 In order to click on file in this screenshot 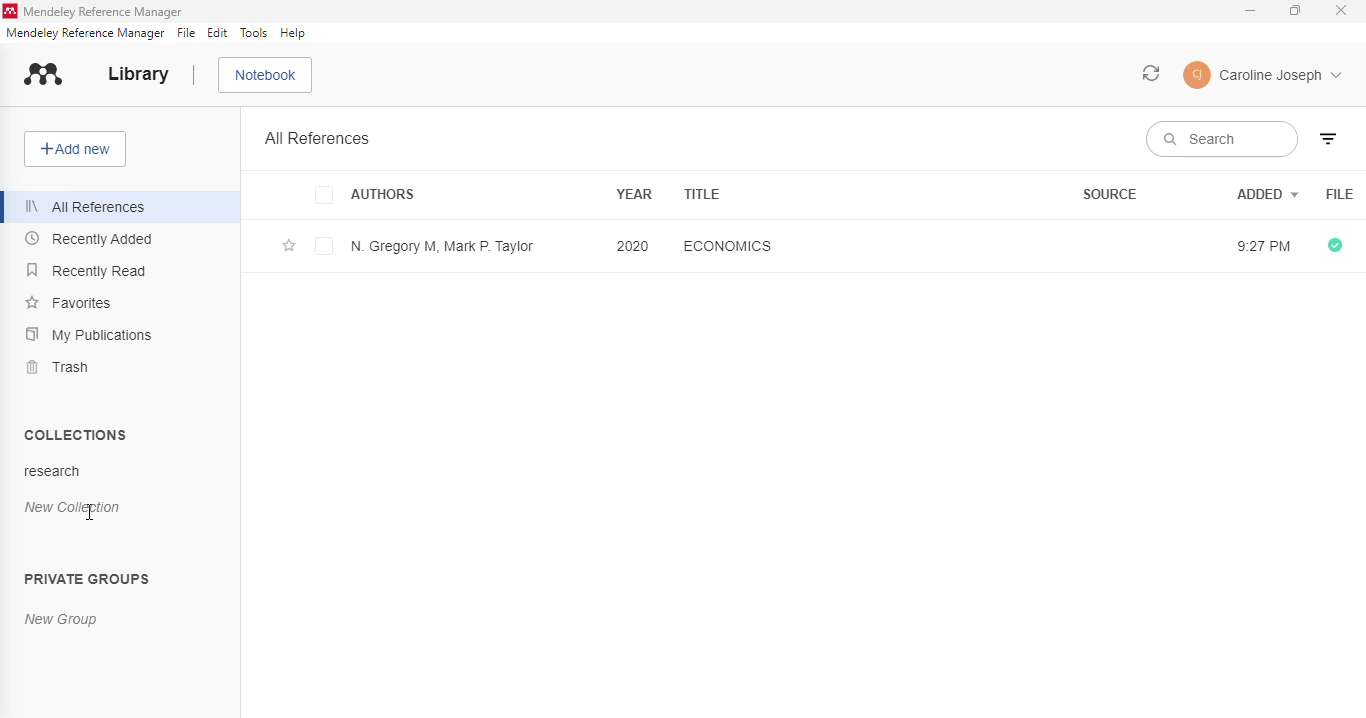, I will do `click(1340, 195)`.